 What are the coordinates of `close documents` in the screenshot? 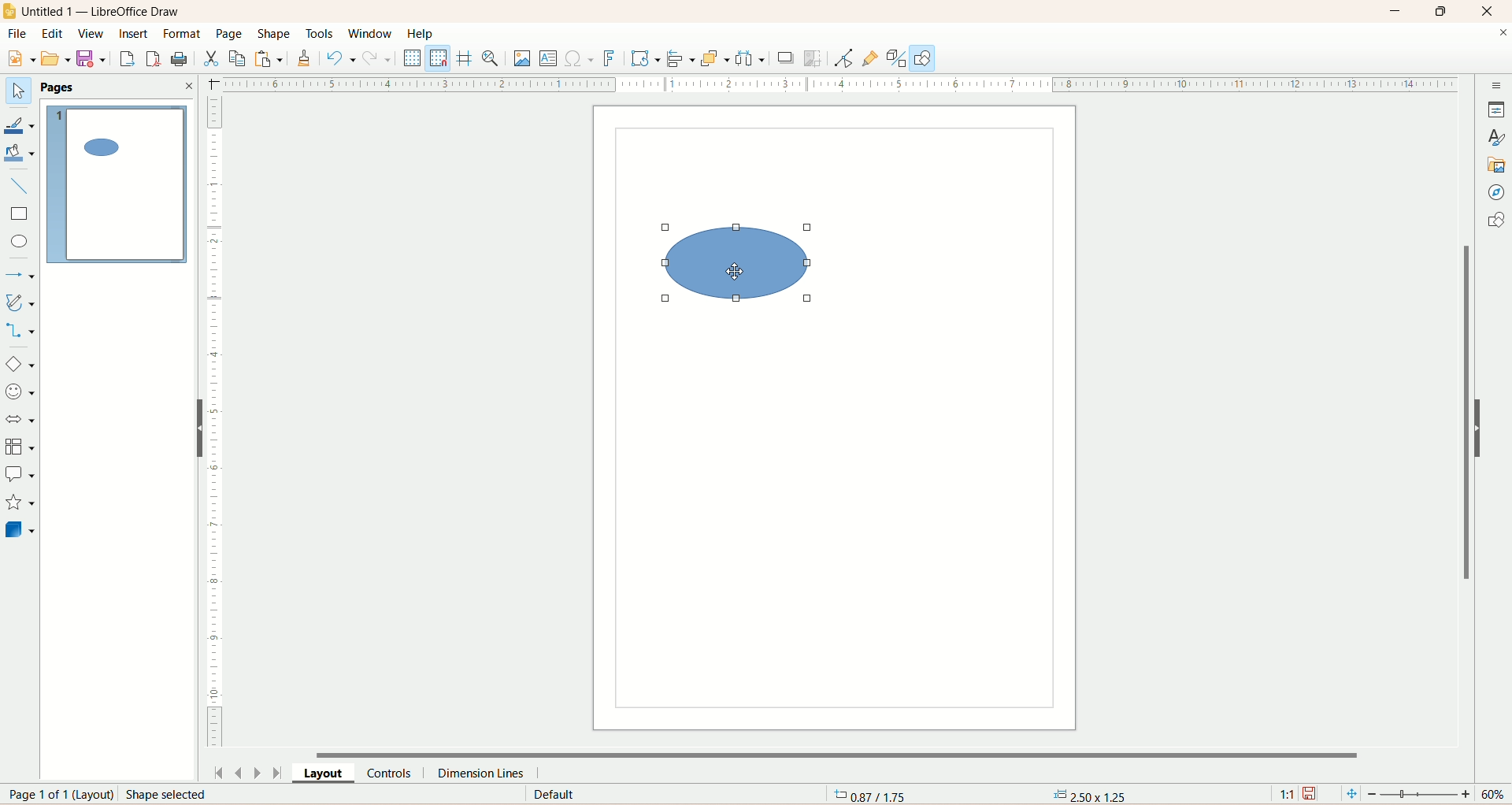 It's located at (1503, 34).